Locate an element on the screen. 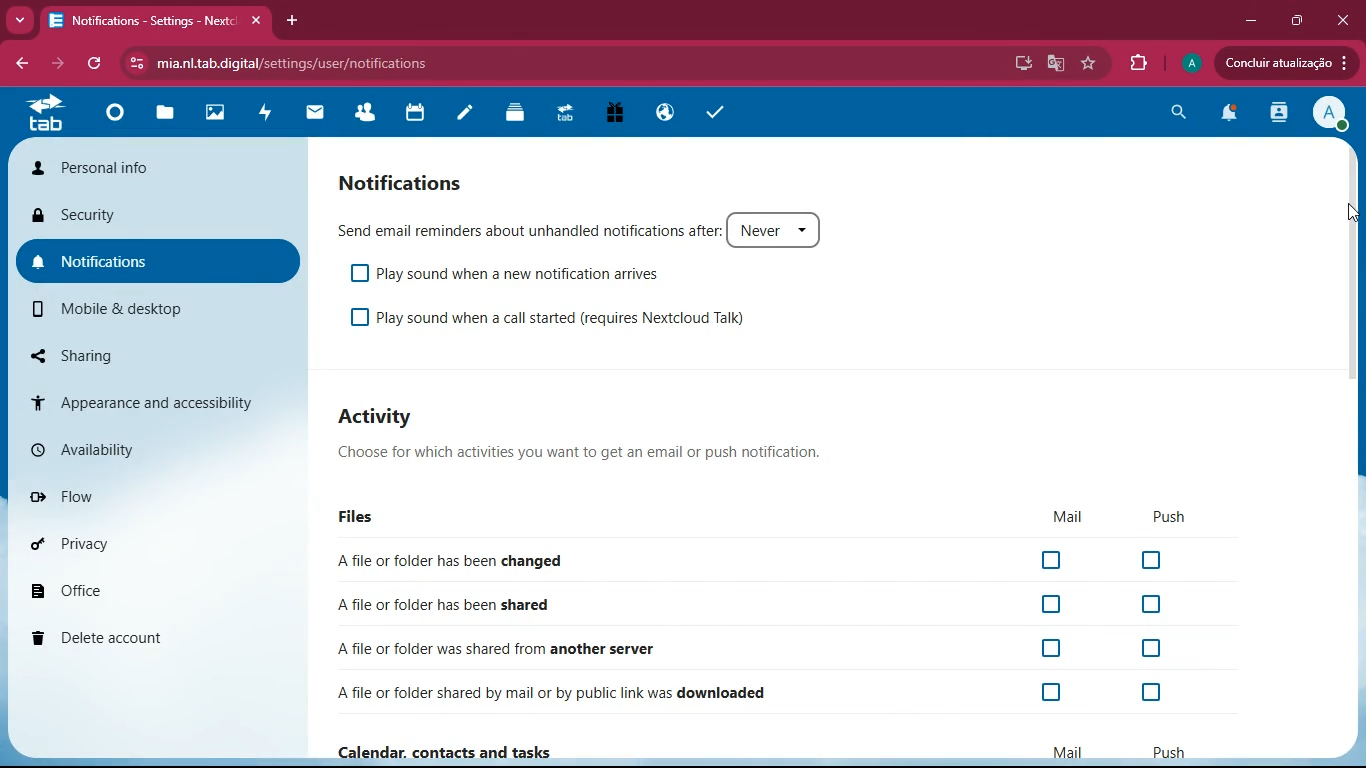 The image size is (1366, 768). files is located at coordinates (168, 116).